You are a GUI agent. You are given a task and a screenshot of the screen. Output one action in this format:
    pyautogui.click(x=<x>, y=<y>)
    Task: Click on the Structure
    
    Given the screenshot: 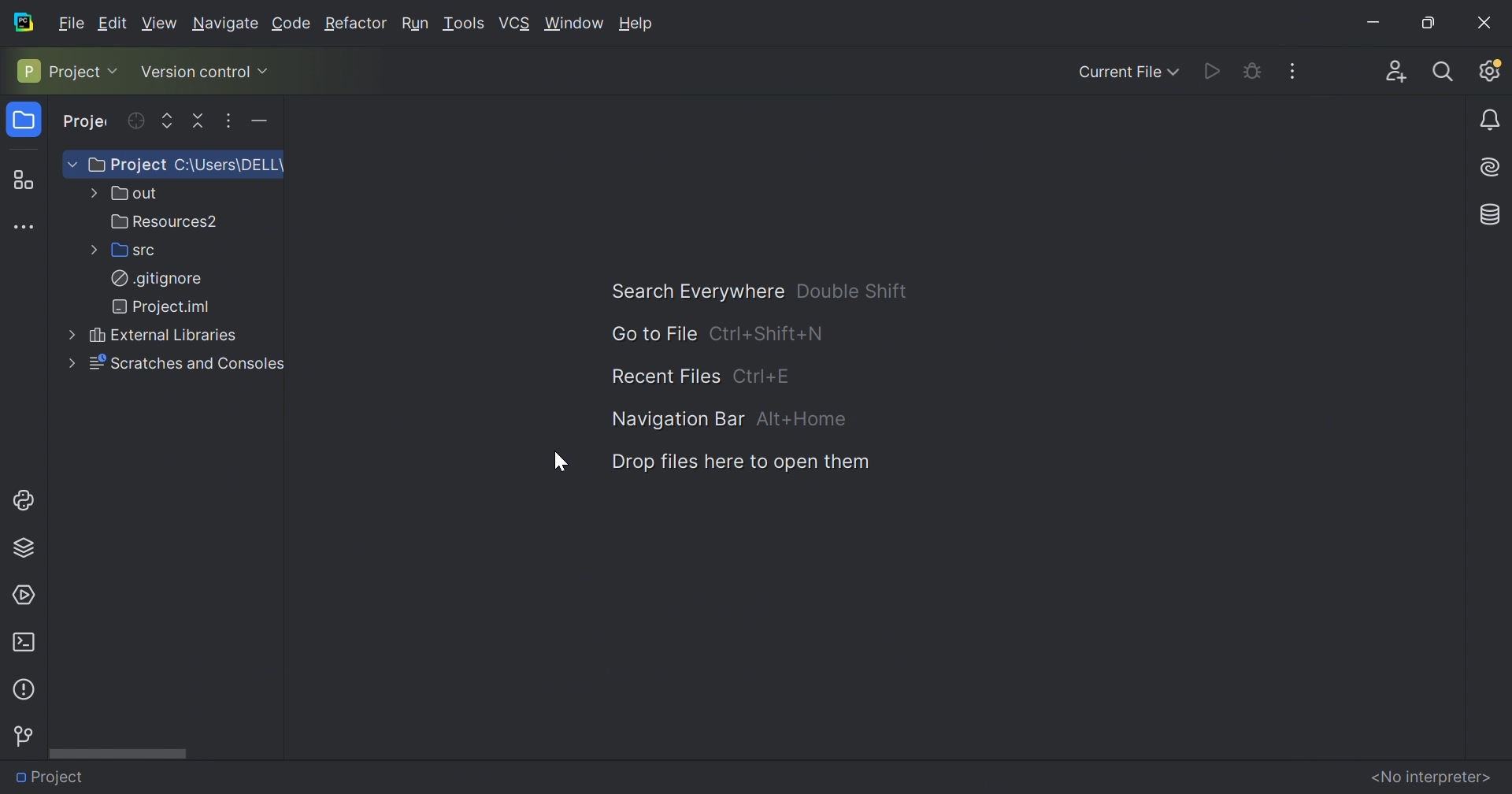 What is the action you would take?
    pyautogui.click(x=21, y=177)
    